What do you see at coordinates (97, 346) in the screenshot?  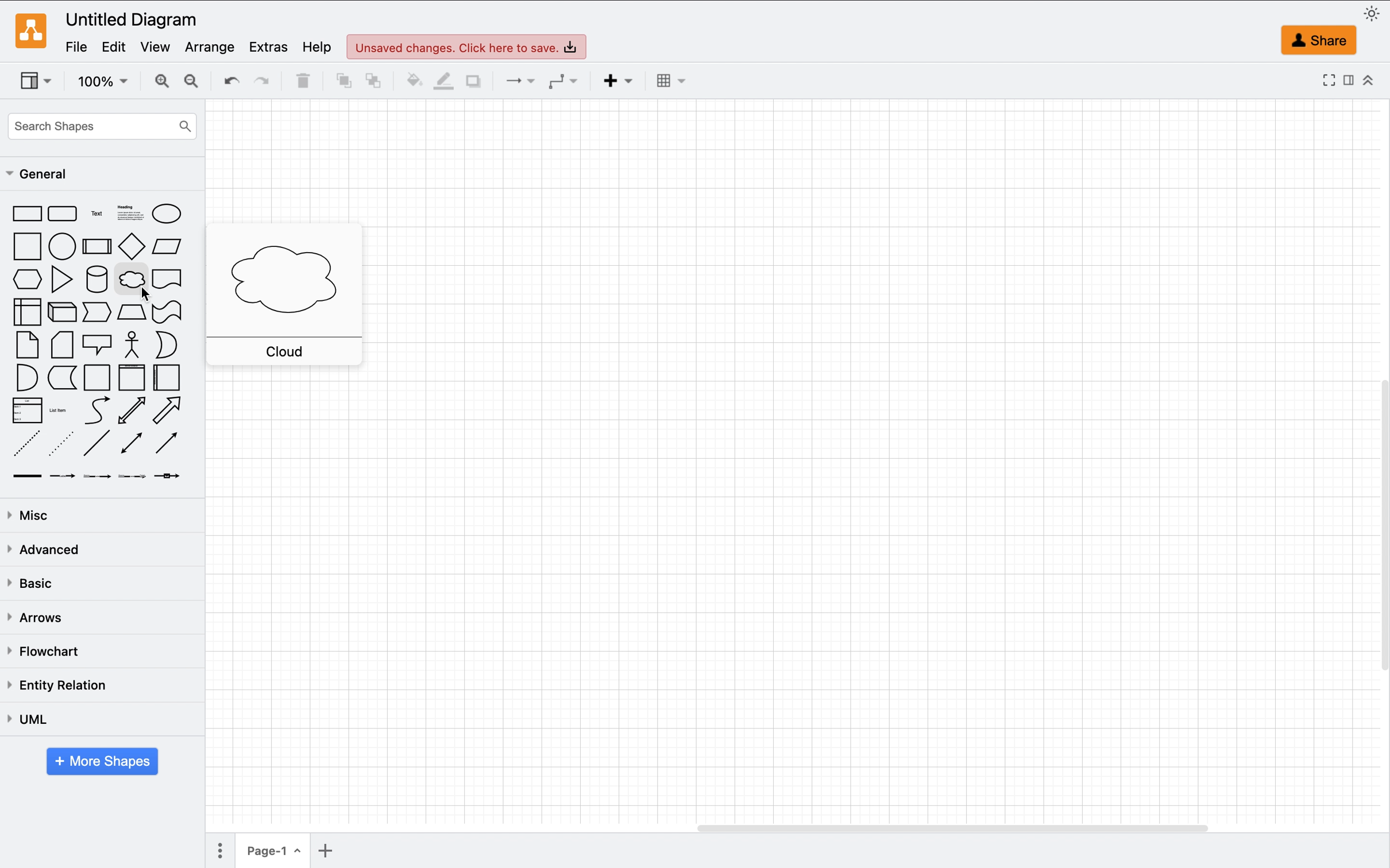 I see `callout` at bounding box center [97, 346].